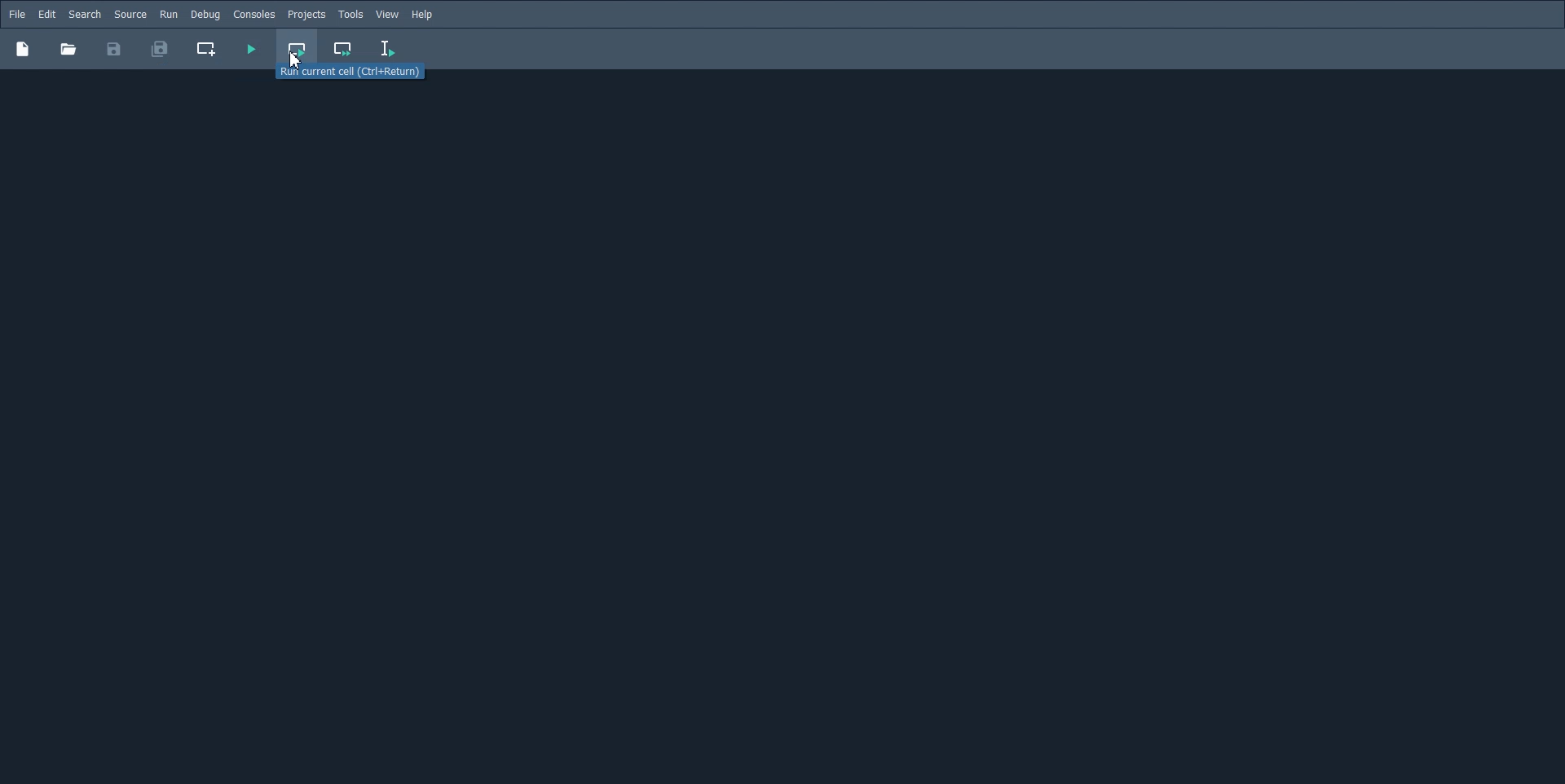 This screenshot has width=1565, height=784. Describe the element at coordinates (169, 14) in the screenshot. I see `Run` at that location.